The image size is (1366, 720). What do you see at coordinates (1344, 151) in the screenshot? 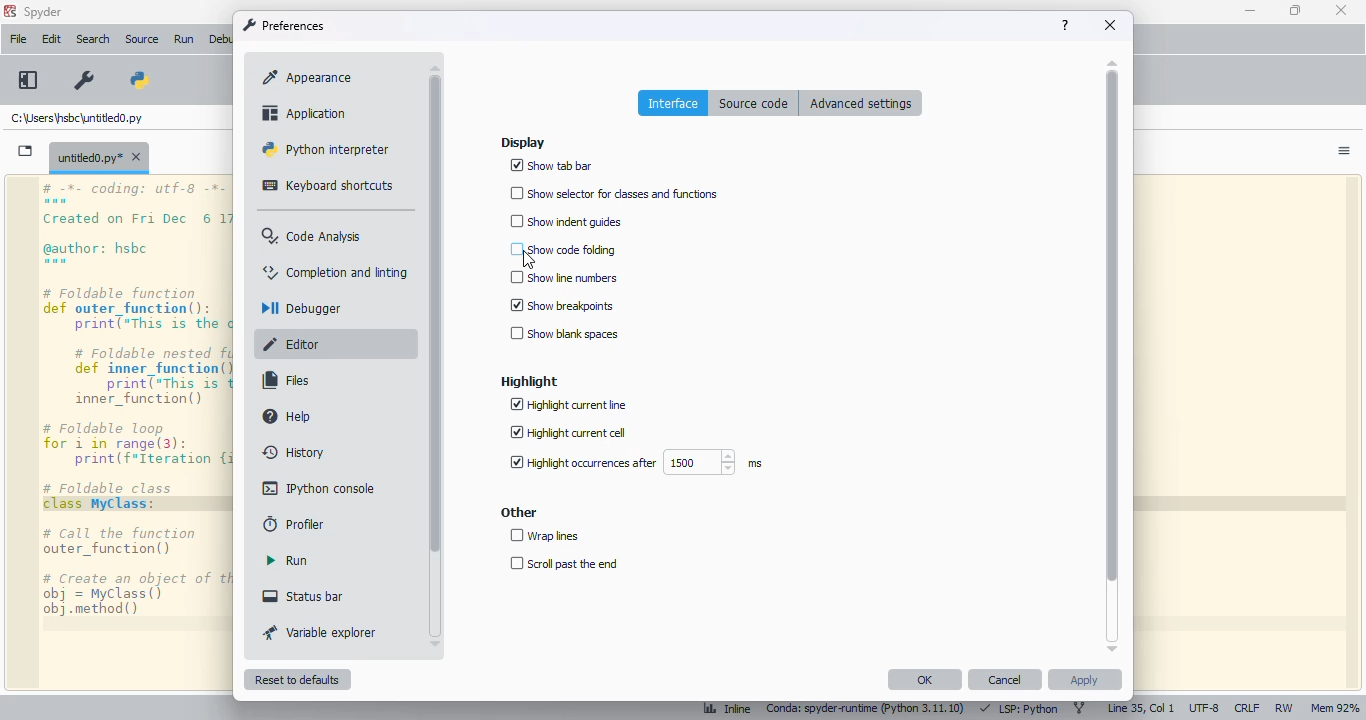
I see `options` at bounding box center [1344, 151].